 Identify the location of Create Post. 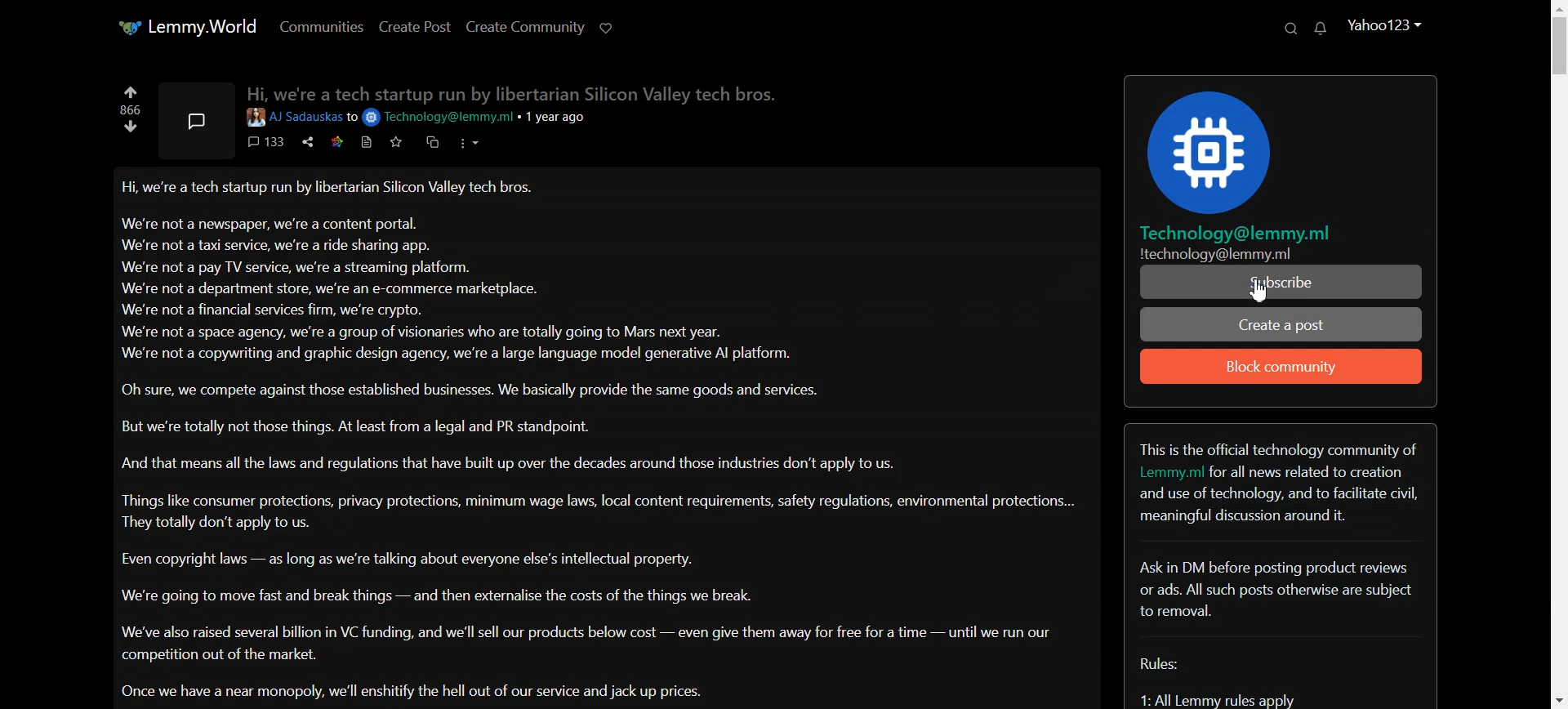
(413, 26).